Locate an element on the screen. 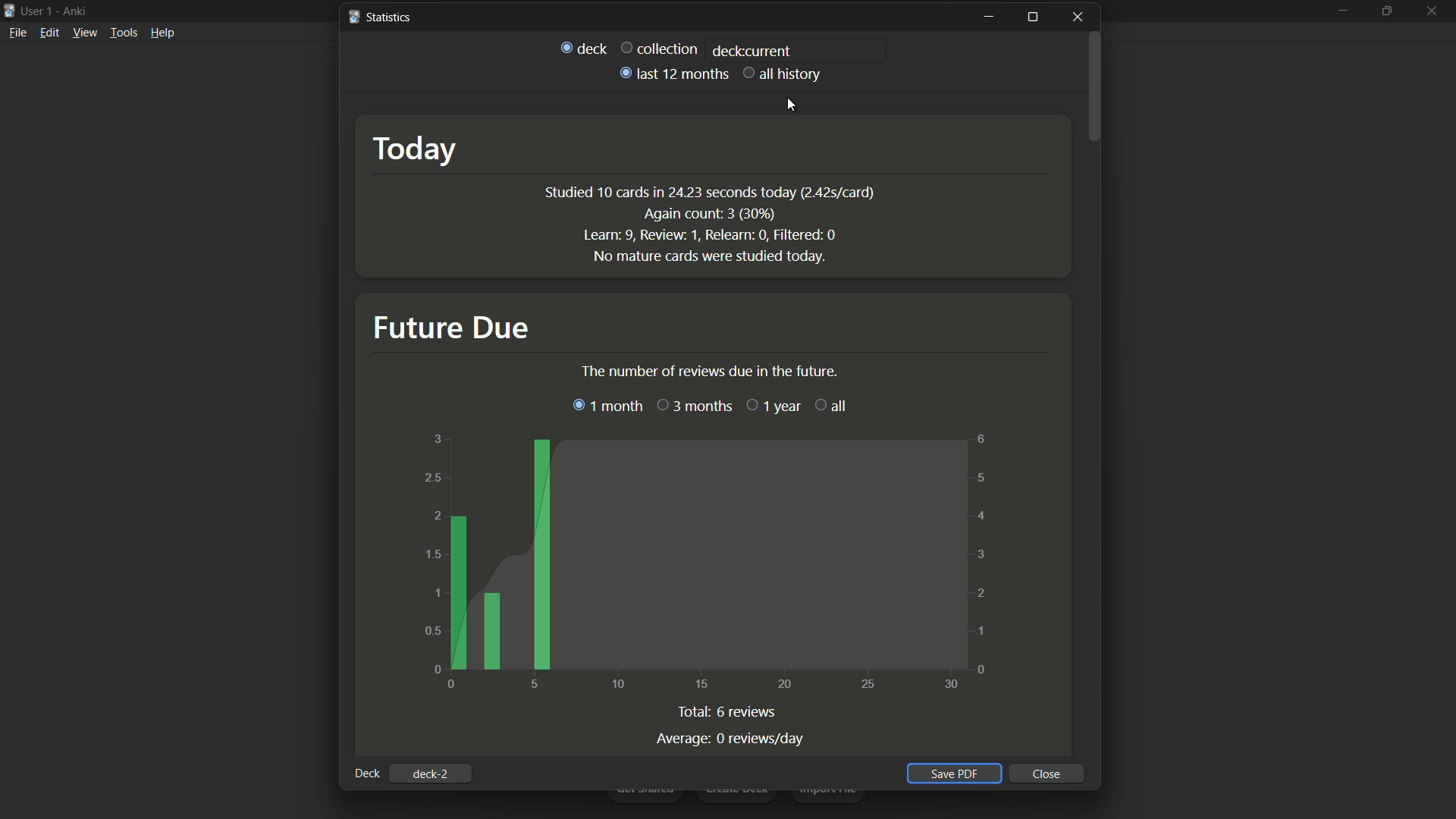 The width and height of the screenshot is (1456, 819). minimize is located at coordinates (988, 17).